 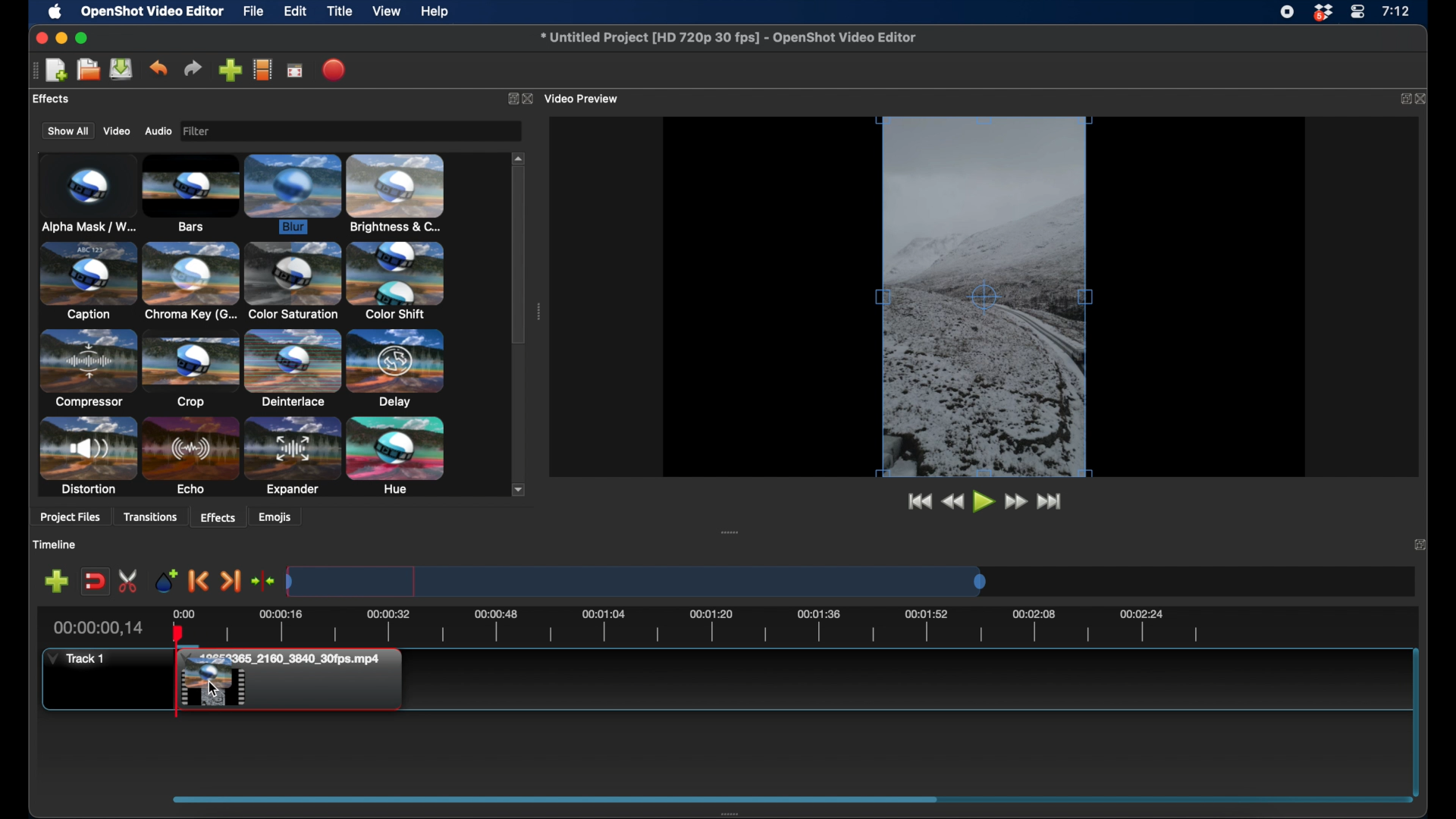 I want to click on echo, so click(x=190, y=457).